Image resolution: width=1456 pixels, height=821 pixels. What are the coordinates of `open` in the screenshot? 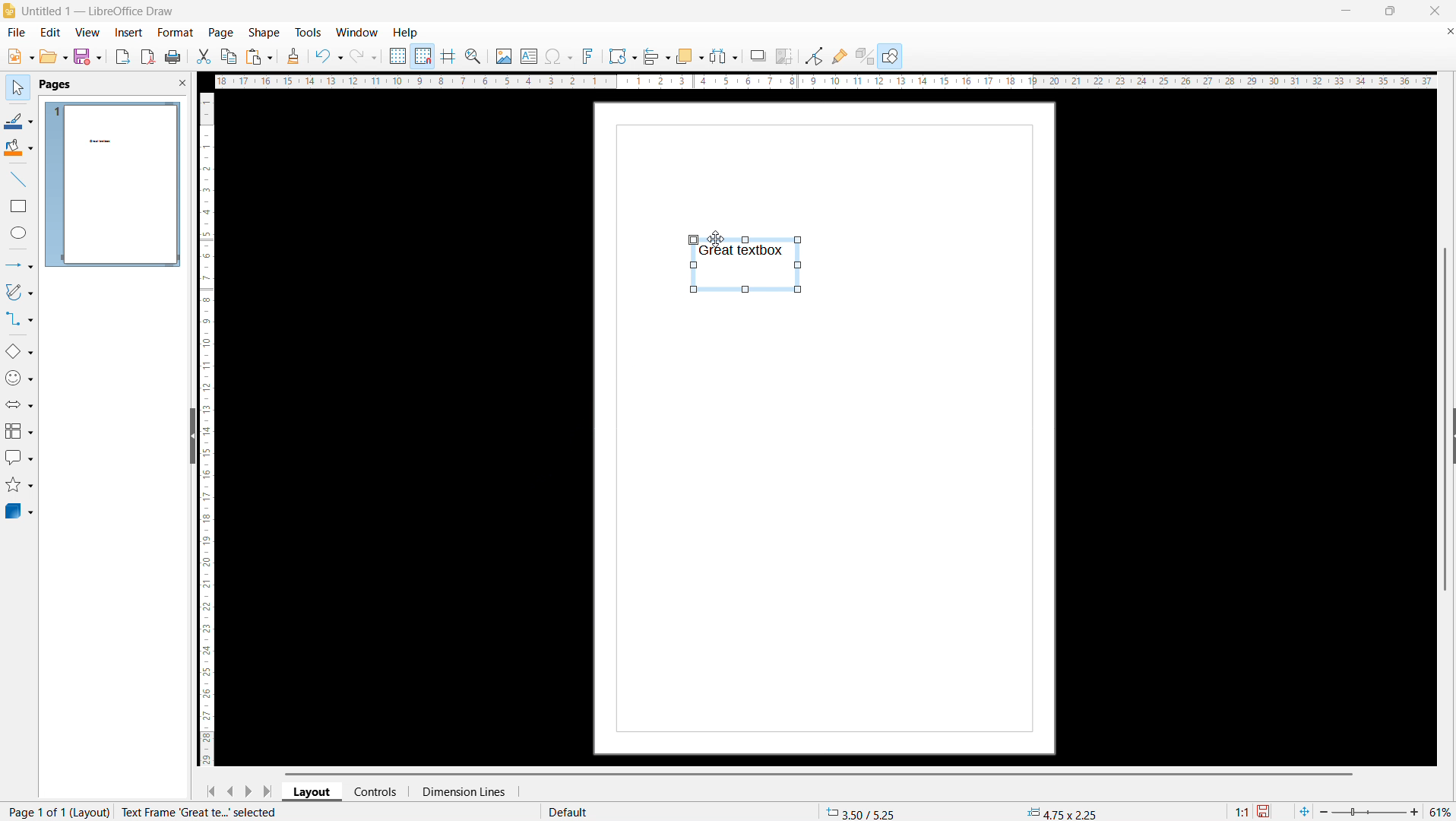 It's located at (52, 57).